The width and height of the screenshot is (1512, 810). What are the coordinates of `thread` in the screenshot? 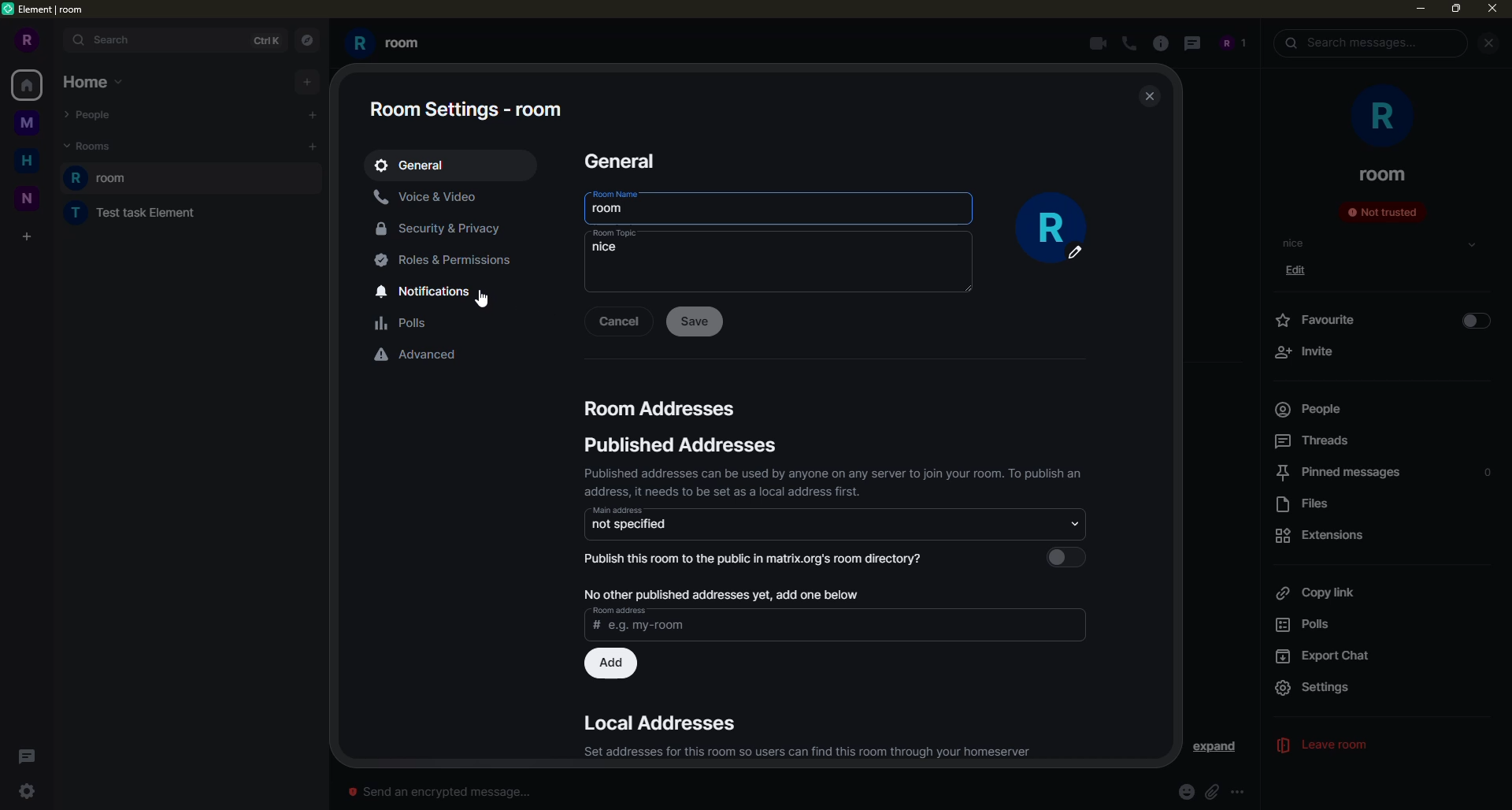 It's located at (1192, 43).